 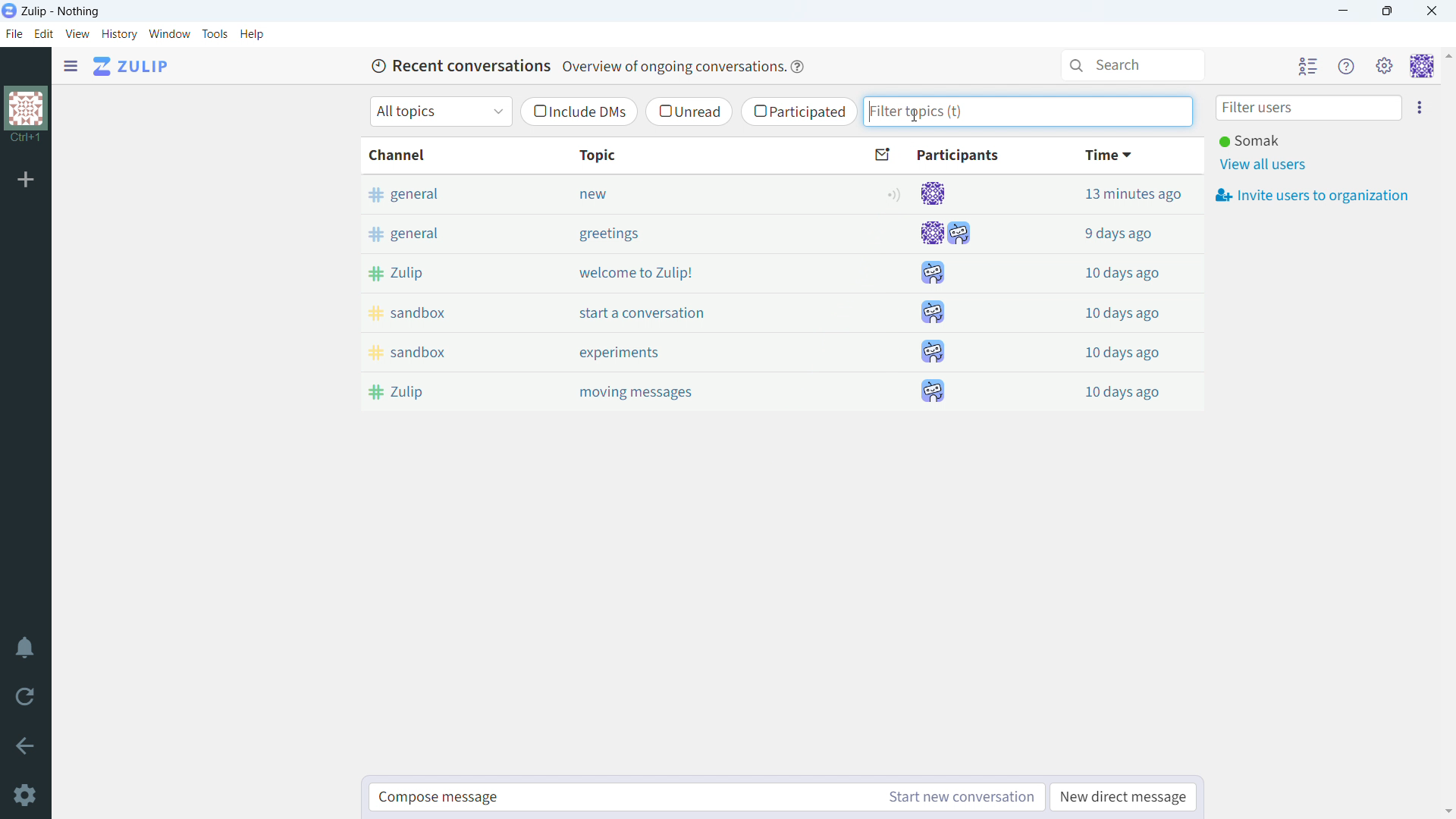 I want to click on general, so click(x=437, y=193).